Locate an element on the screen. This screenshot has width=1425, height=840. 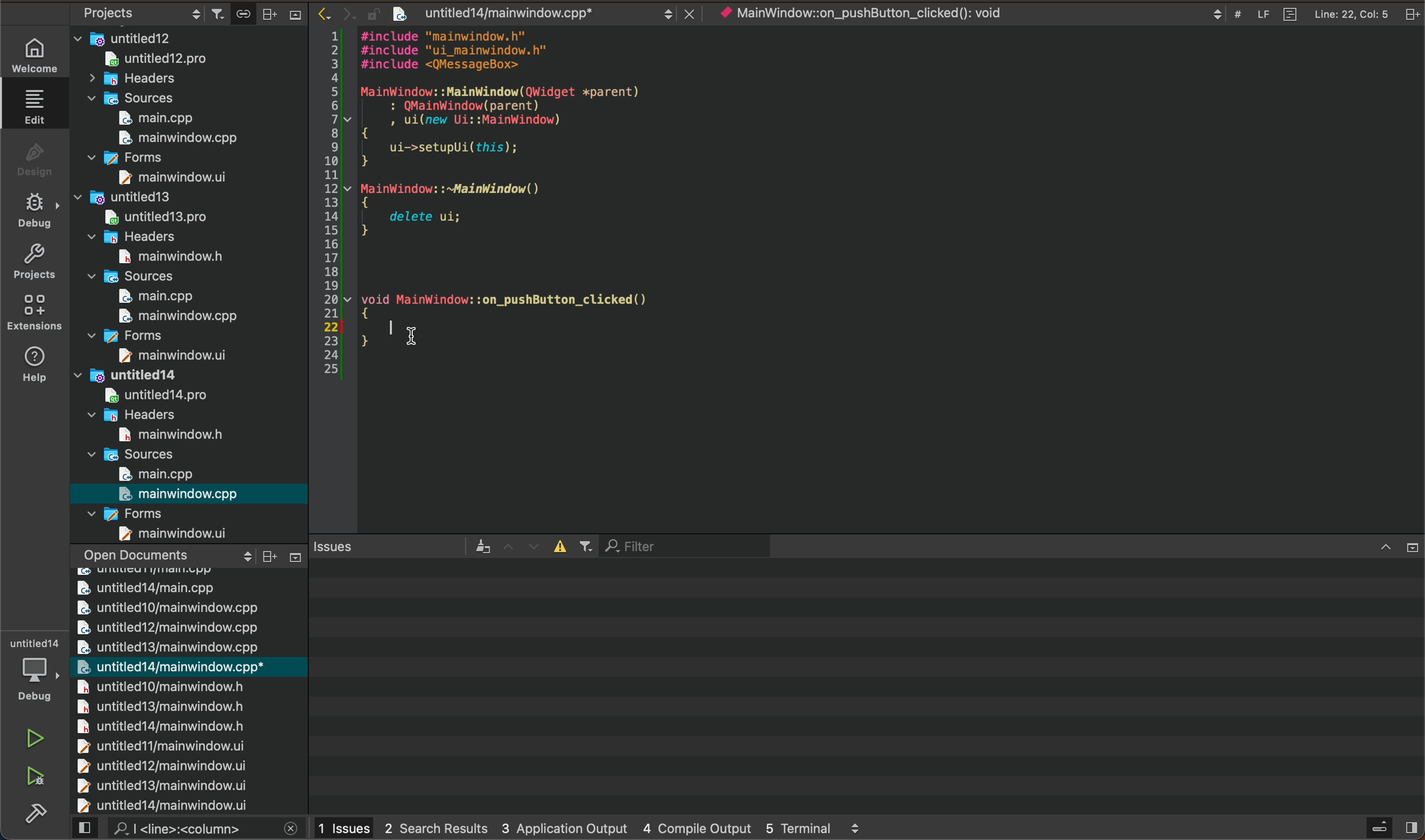
main window is located at coordinates (165, 177).